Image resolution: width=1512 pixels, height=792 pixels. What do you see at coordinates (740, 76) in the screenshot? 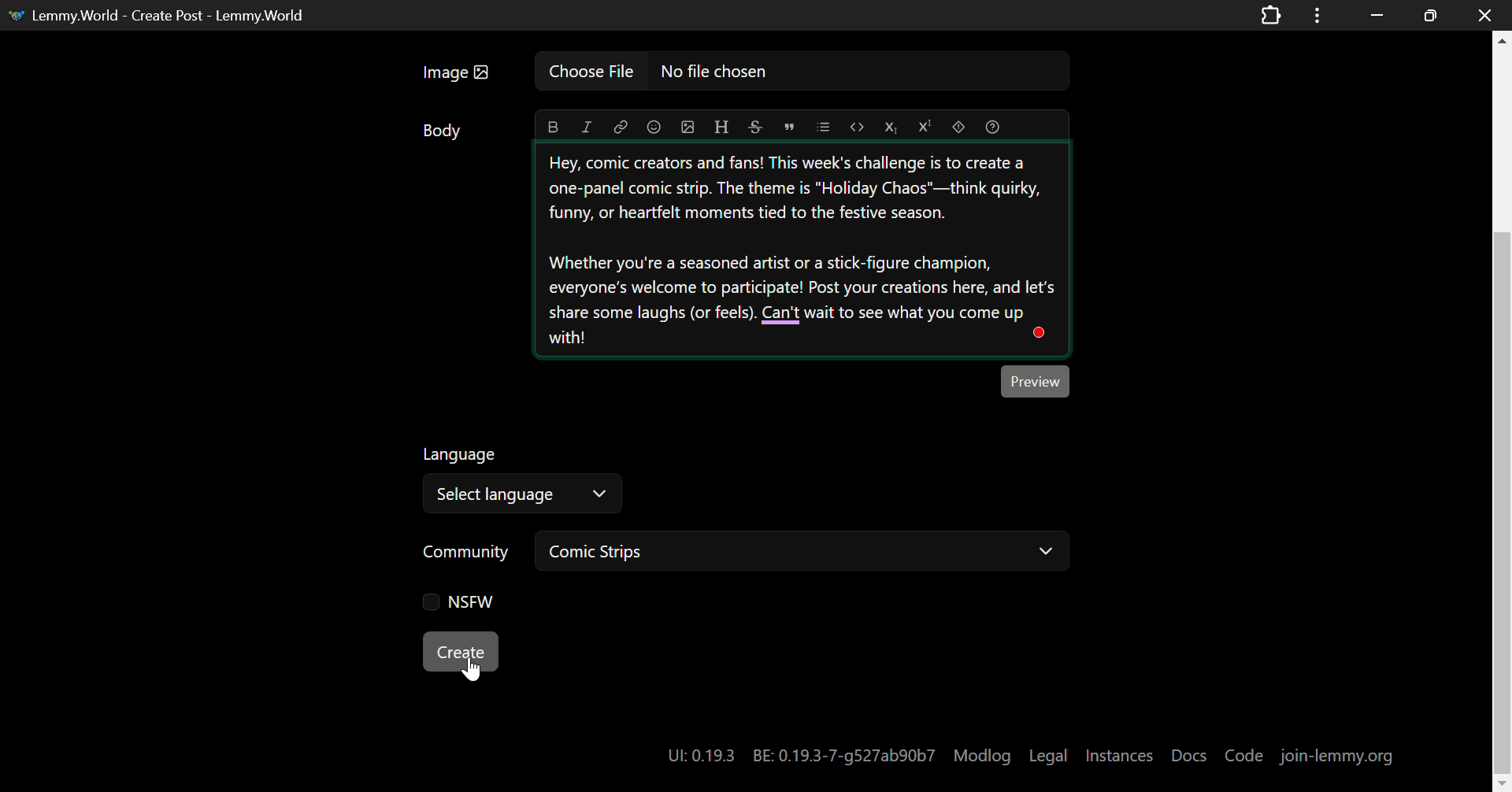
I see `Image: No file chosen` at bounding box center [740, 76].